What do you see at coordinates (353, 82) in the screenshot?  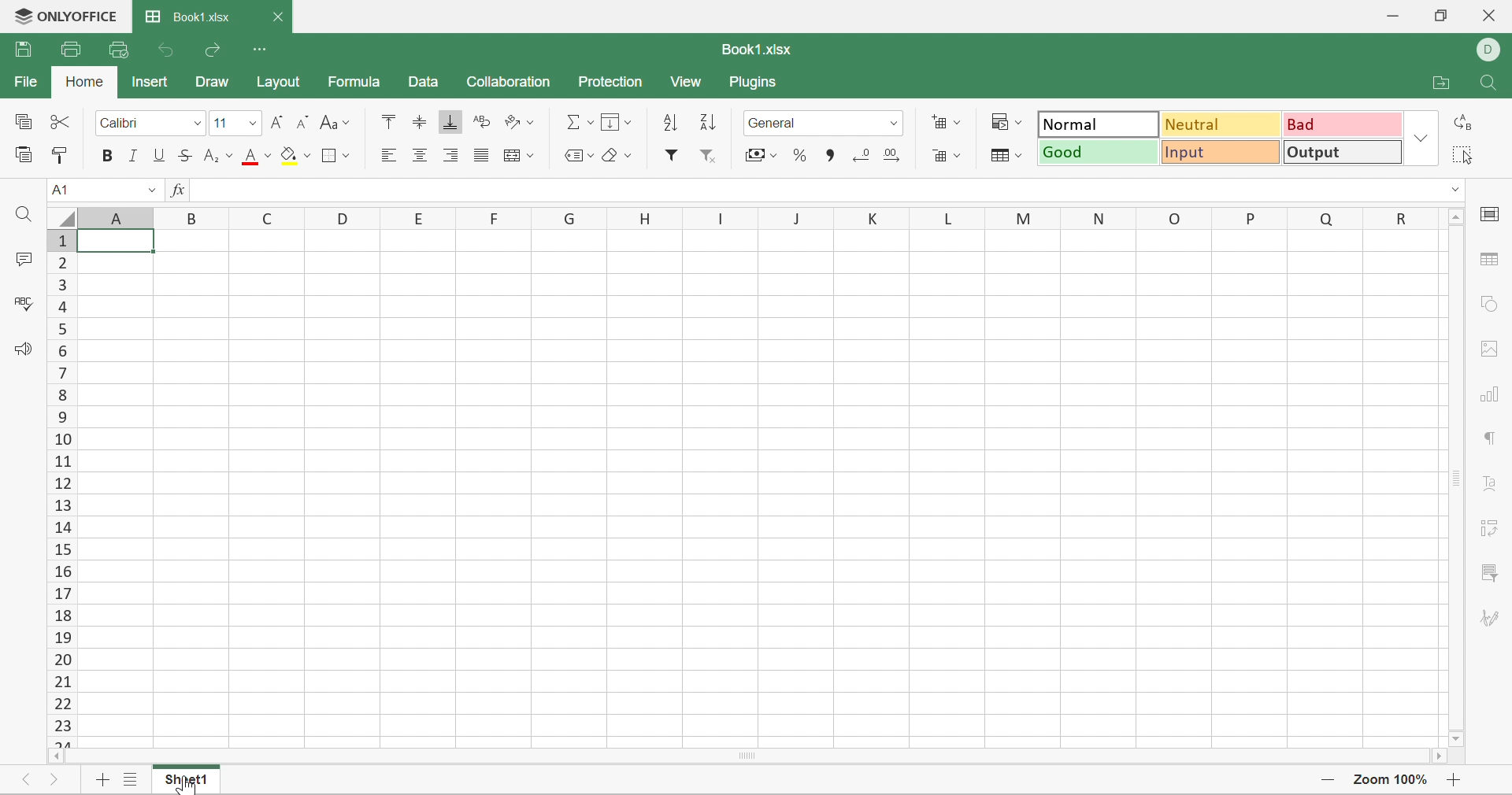 I see `Formula` at bounding box center [353, 82].